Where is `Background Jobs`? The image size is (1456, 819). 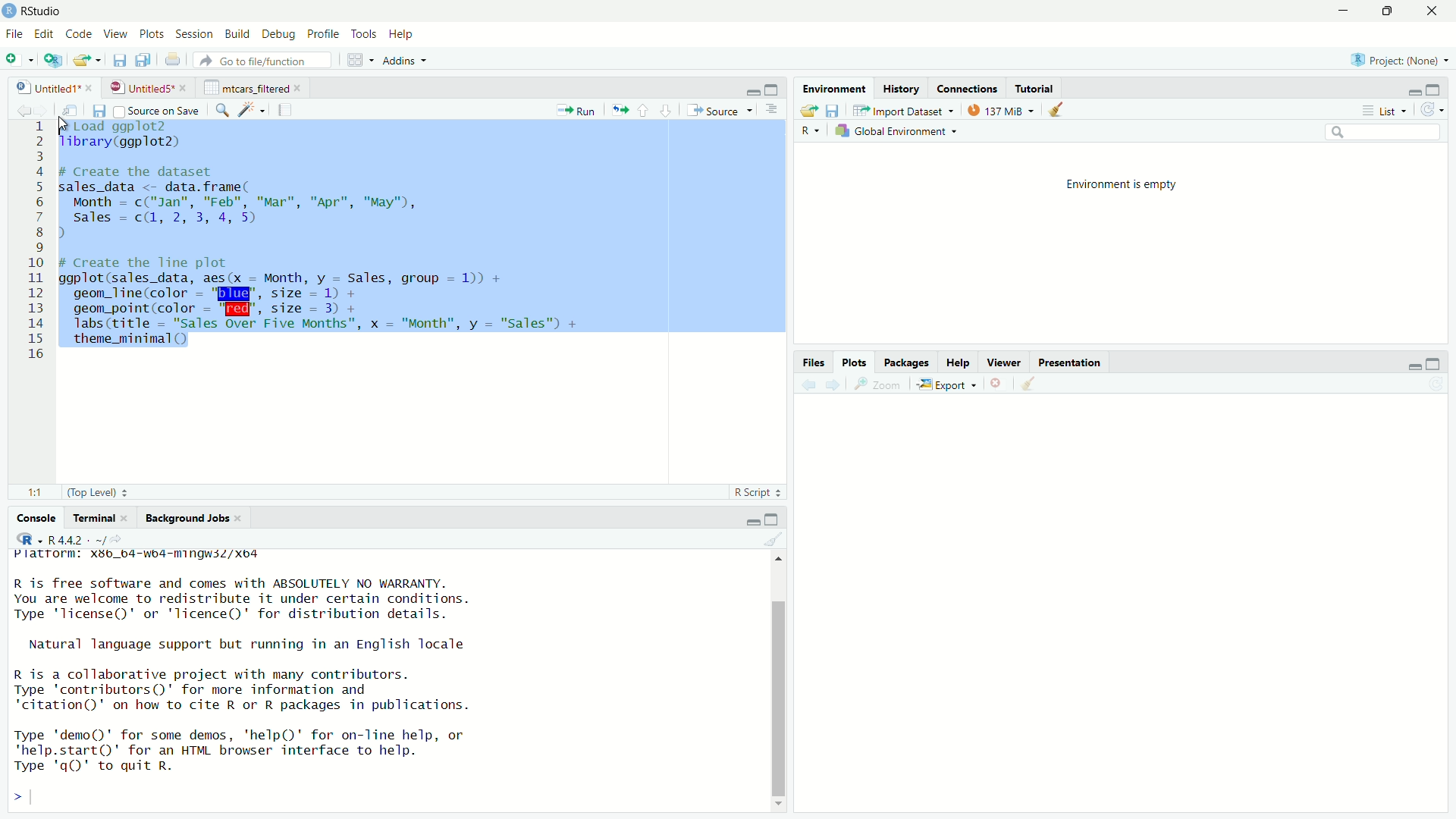 Background Jobs is located at coordinates (187, 519).